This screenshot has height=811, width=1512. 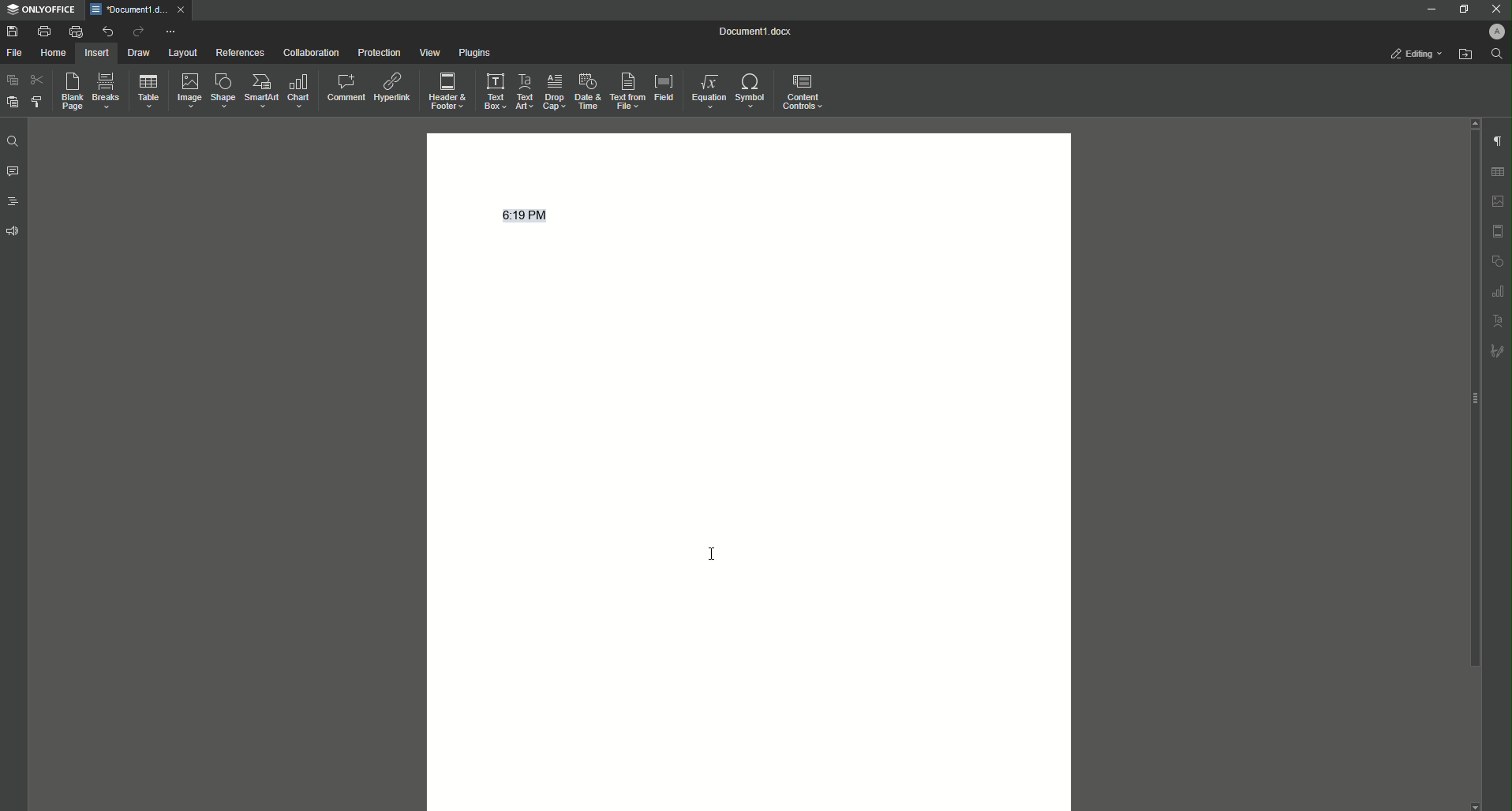 I want to click on scroll up, so click(x=1473, y=122).